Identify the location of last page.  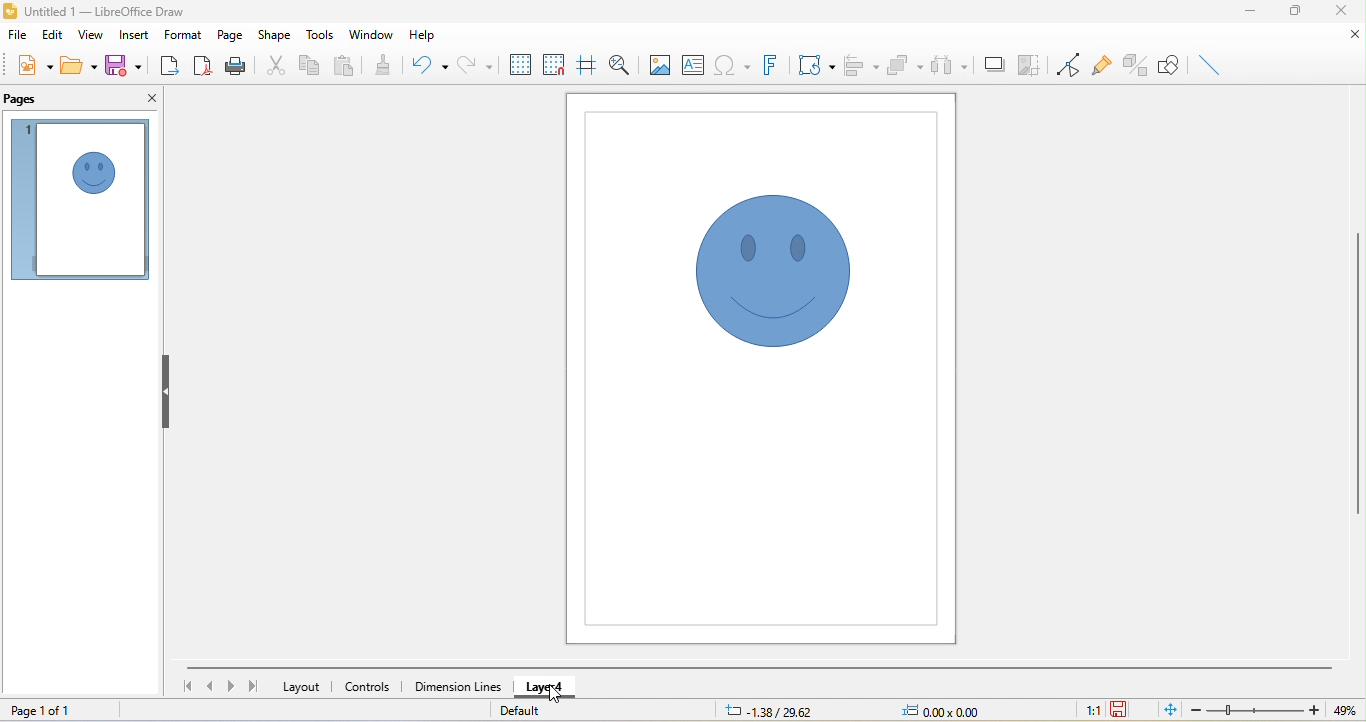
(251, 685).